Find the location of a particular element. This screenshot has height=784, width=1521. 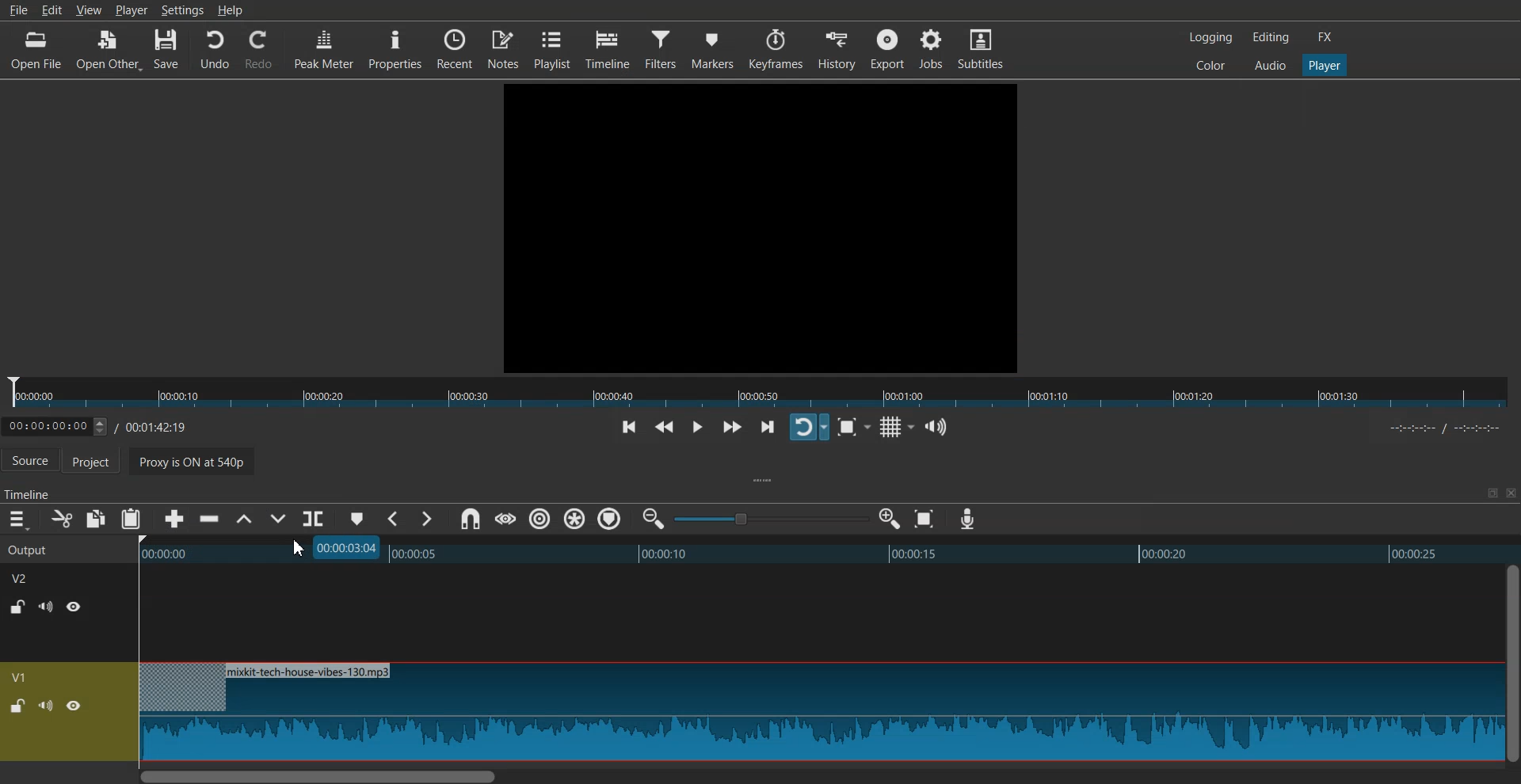

Toggle player lopping is located at coordinates (809, 427).